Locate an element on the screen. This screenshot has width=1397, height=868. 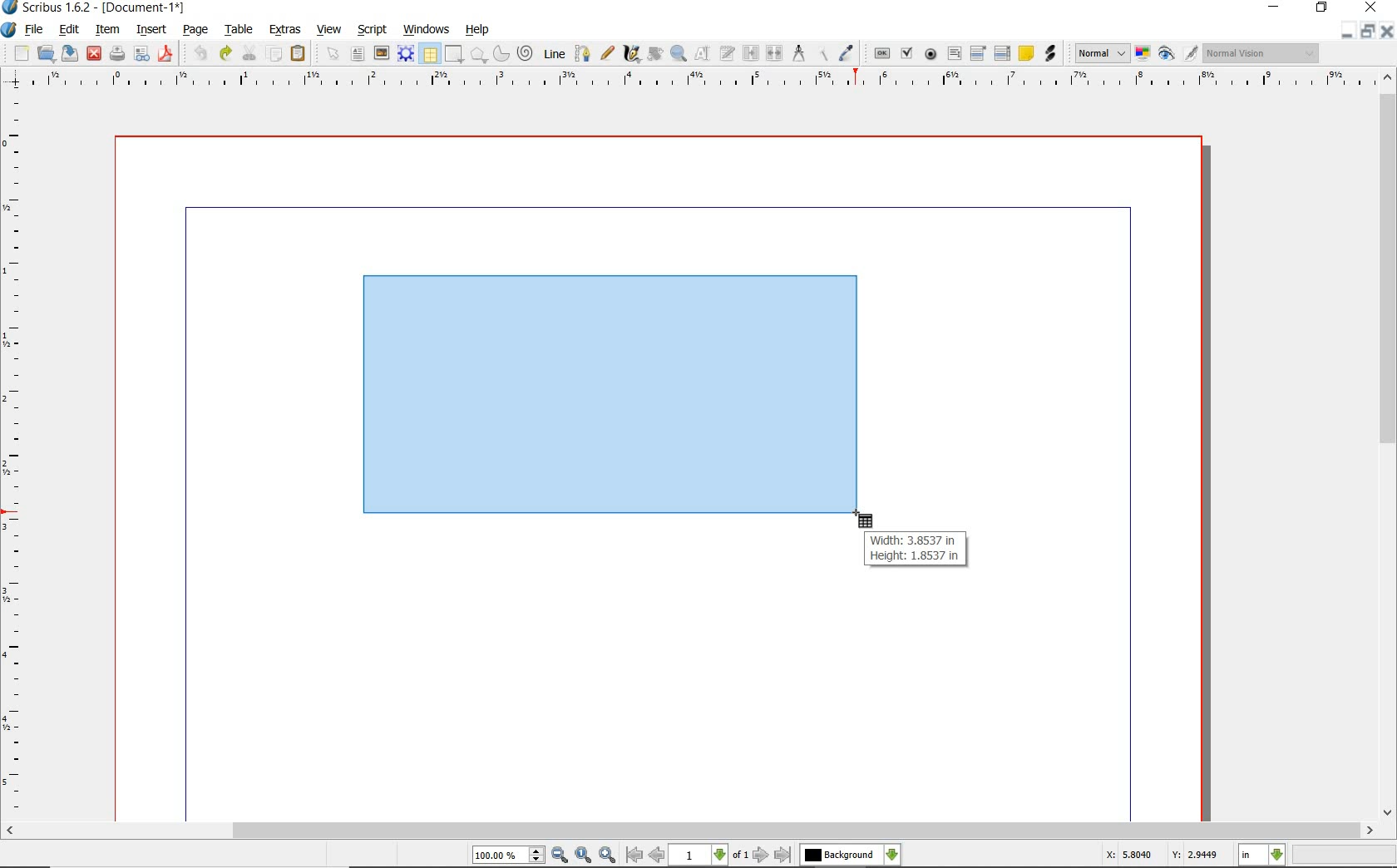
new is located at coordinates (22, 55).